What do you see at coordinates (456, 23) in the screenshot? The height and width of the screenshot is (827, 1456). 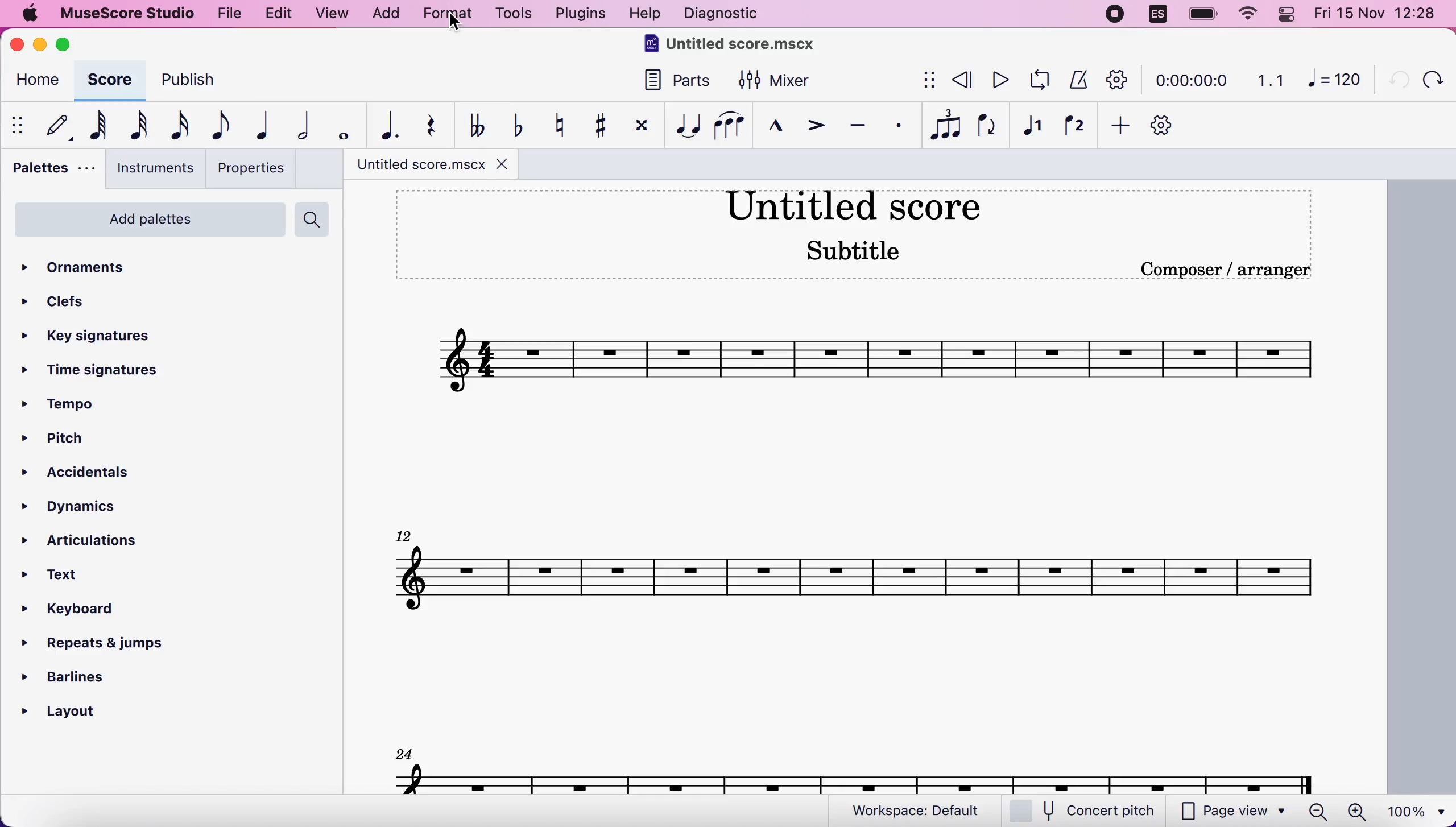 I see `cursor` at bounding box center [456, 23].